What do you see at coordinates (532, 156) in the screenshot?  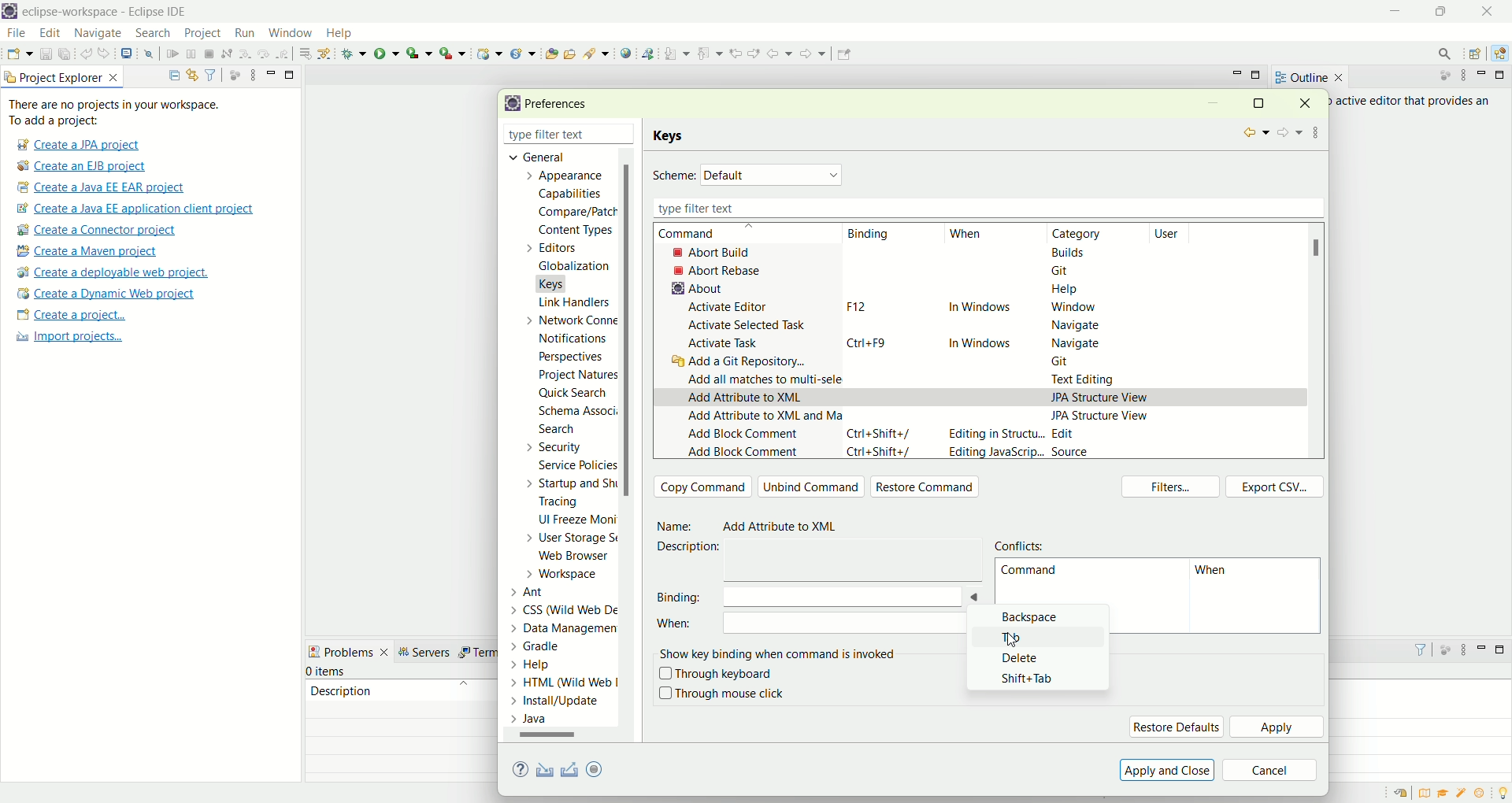 I see `general` at bounding box center [532, 156].